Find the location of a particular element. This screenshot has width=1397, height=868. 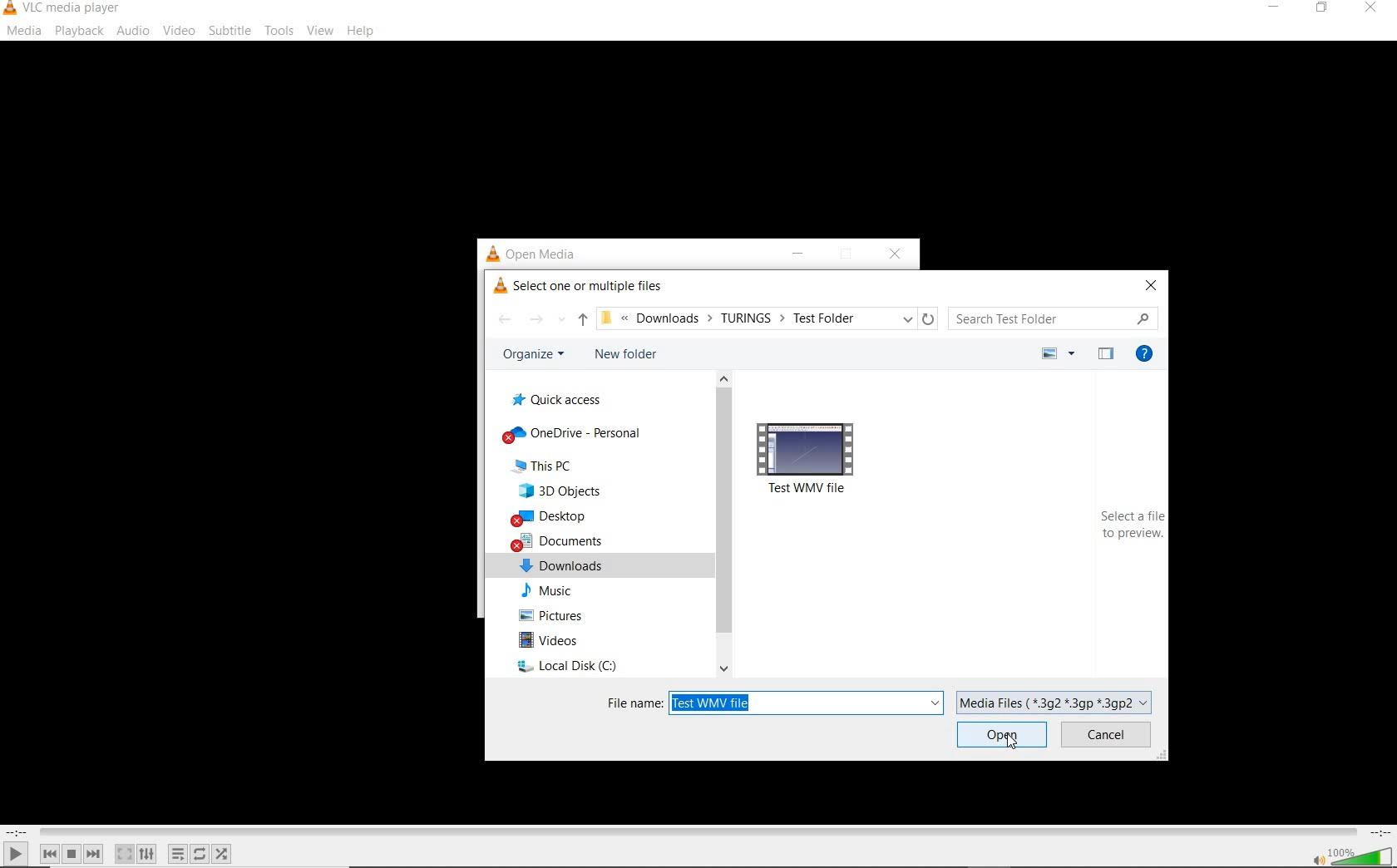

elapsed time is located at coordinates (17, 832).